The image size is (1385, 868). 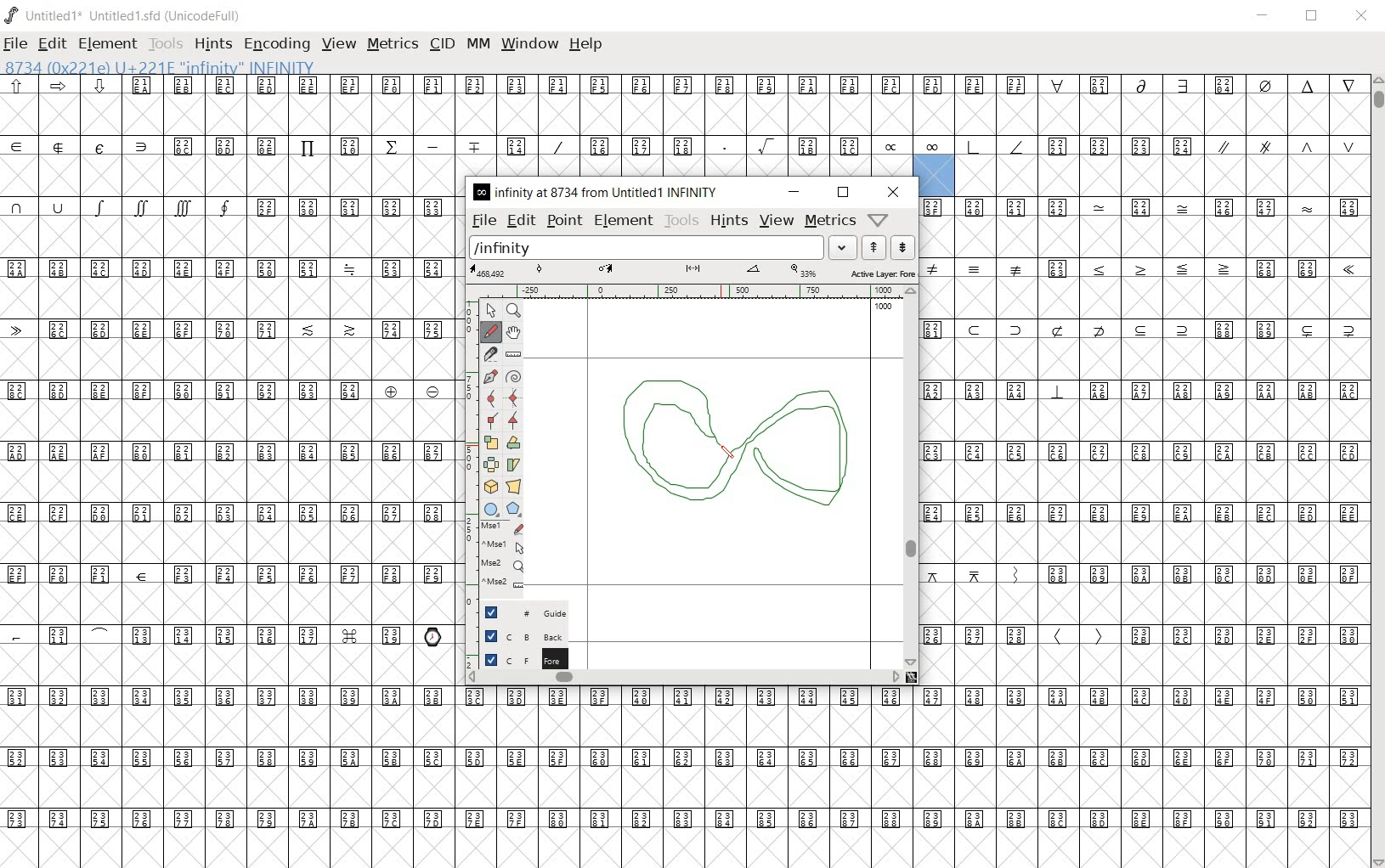 I want to click on restore down, so click(x=843, y=193).